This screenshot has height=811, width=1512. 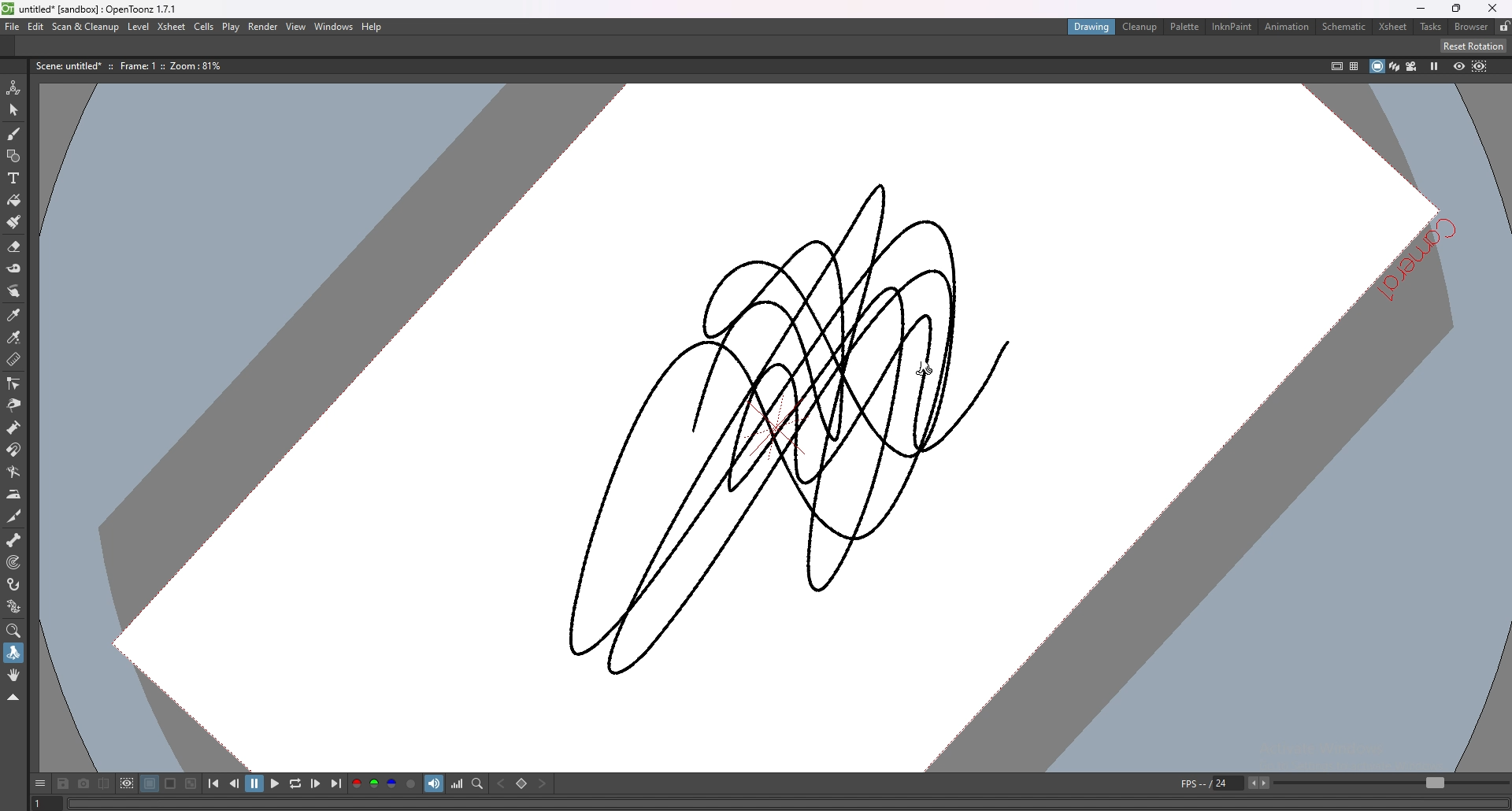 I want to click on field guide, so click(x=1354, y=66).